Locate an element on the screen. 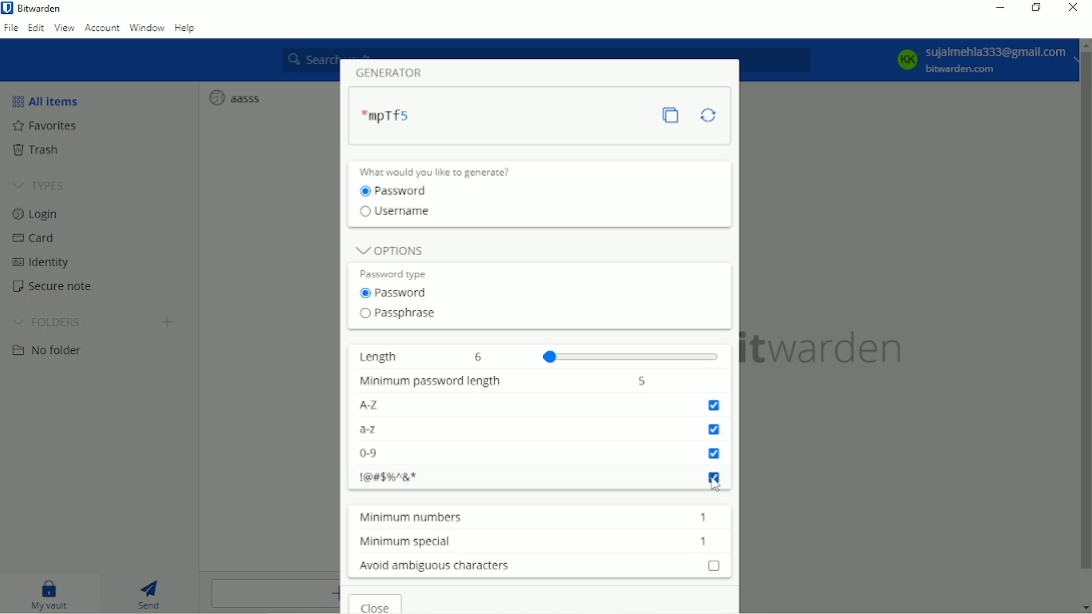 The image size is (1092, 614). Regenerate password is located at coordinates (707, 115).